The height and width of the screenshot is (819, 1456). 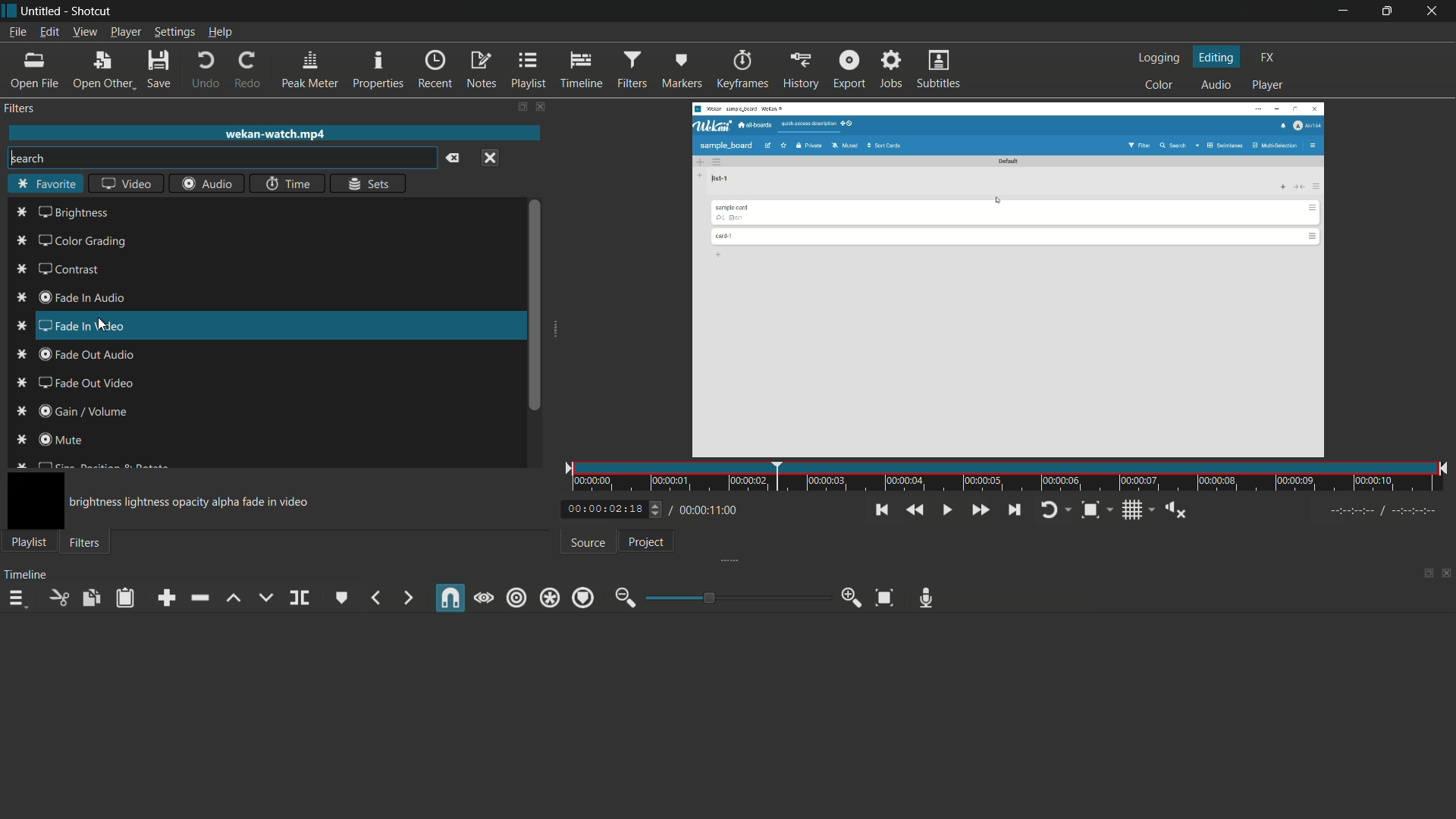 What do you see at coordinates (541, 108) in the screenshot?
I see `close filter` at bounding box center [541, 108].